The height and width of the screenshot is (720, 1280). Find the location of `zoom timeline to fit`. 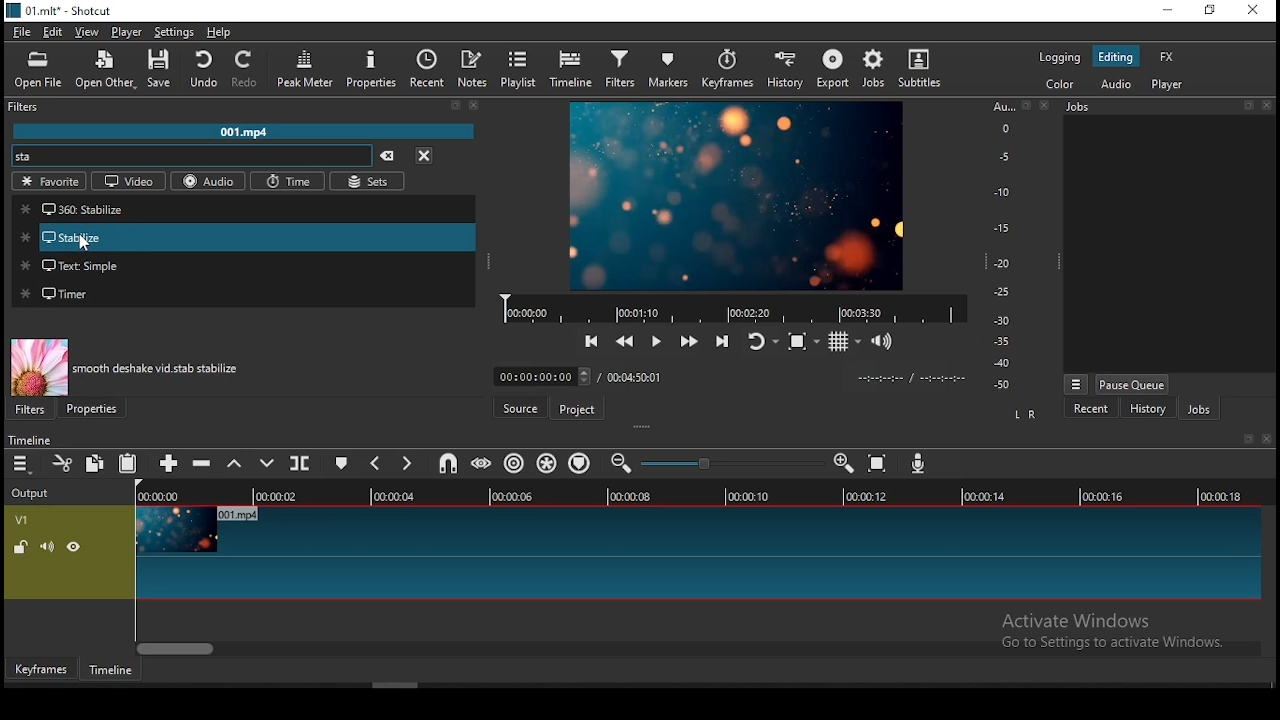

zoom timeline to fit is located at coordinates (883, 466).